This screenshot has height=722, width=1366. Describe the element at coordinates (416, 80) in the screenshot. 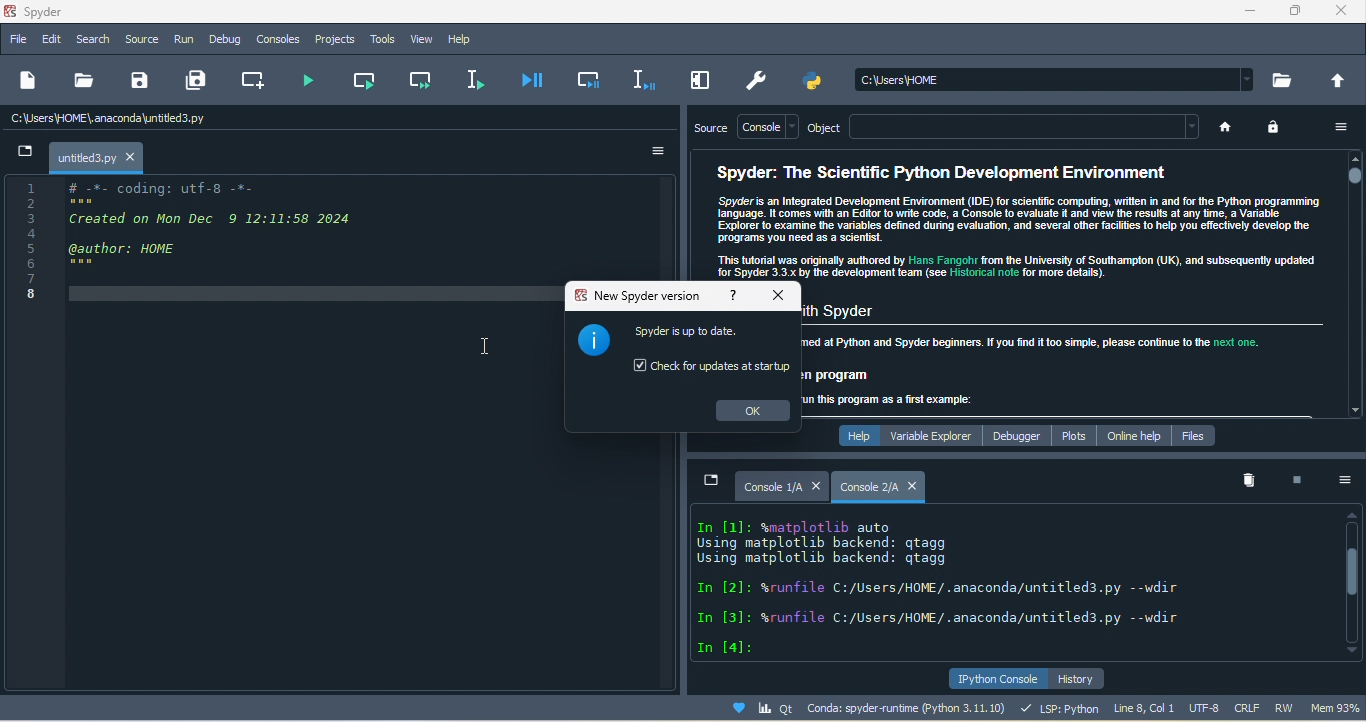

I see `run current cell and go to the next one` at that location.